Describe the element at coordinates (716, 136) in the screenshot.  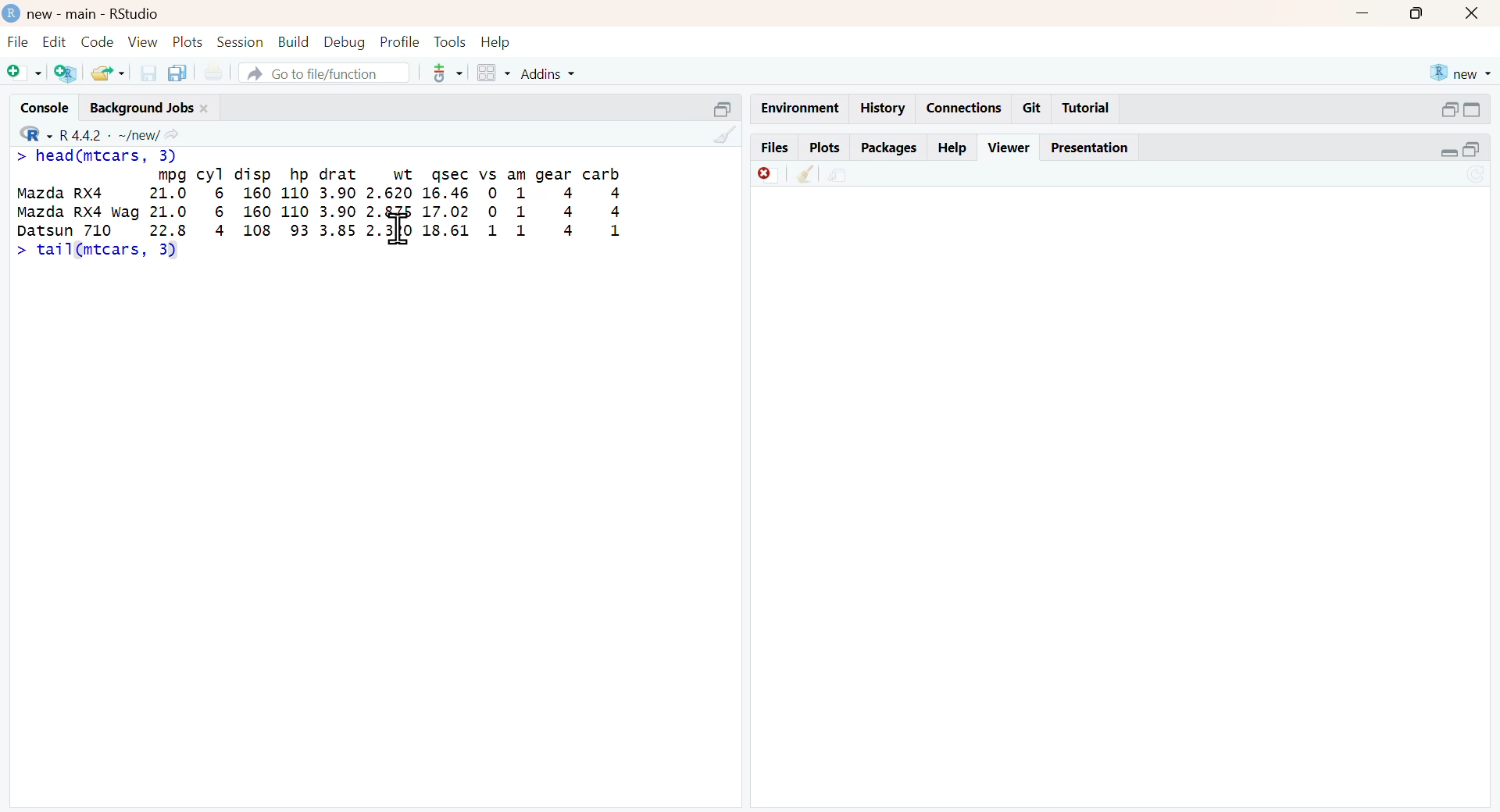
I see `clear console` at that location.